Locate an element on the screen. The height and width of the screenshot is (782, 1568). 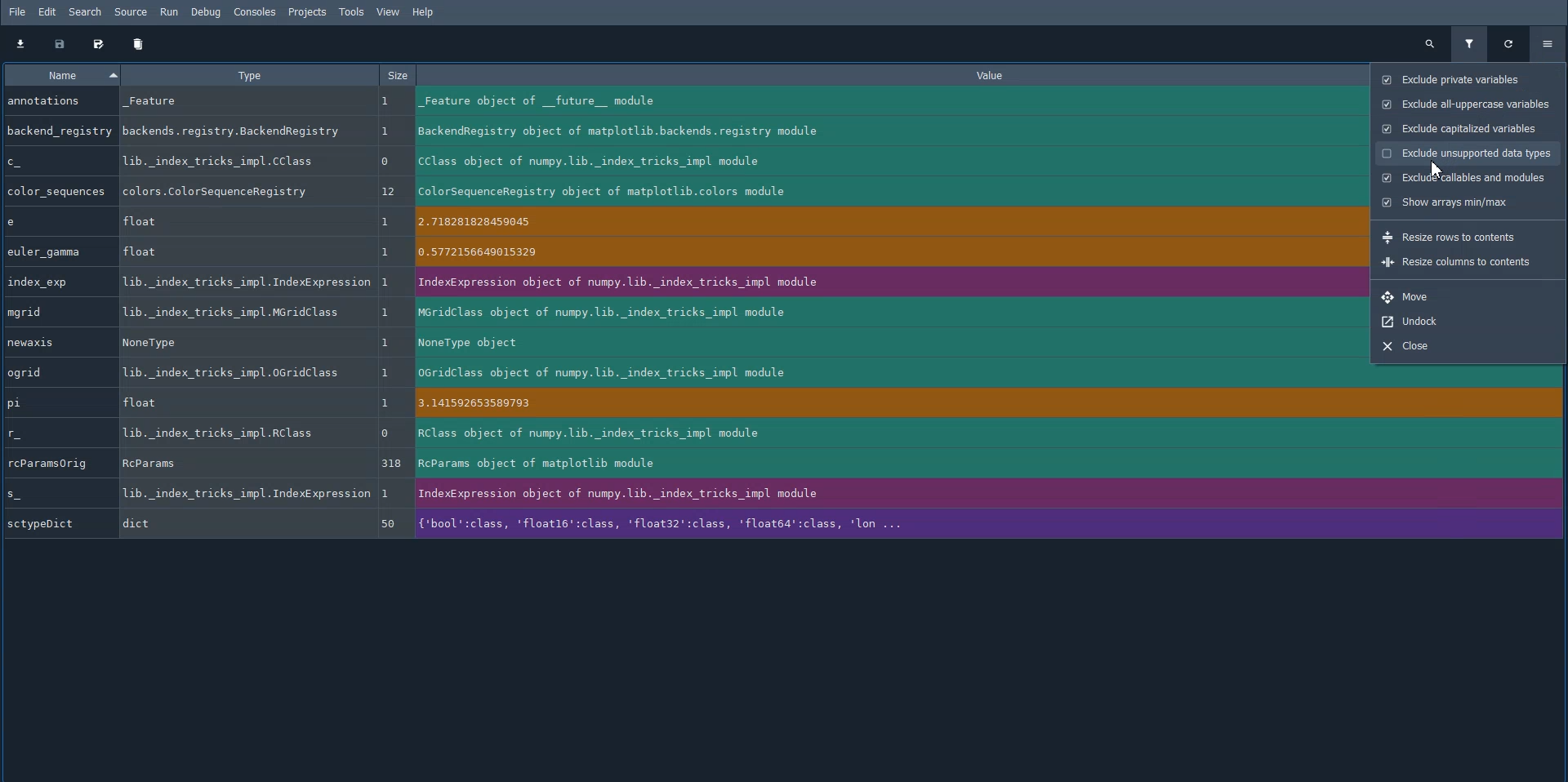
cursor is located at coordinates (1434, 169).